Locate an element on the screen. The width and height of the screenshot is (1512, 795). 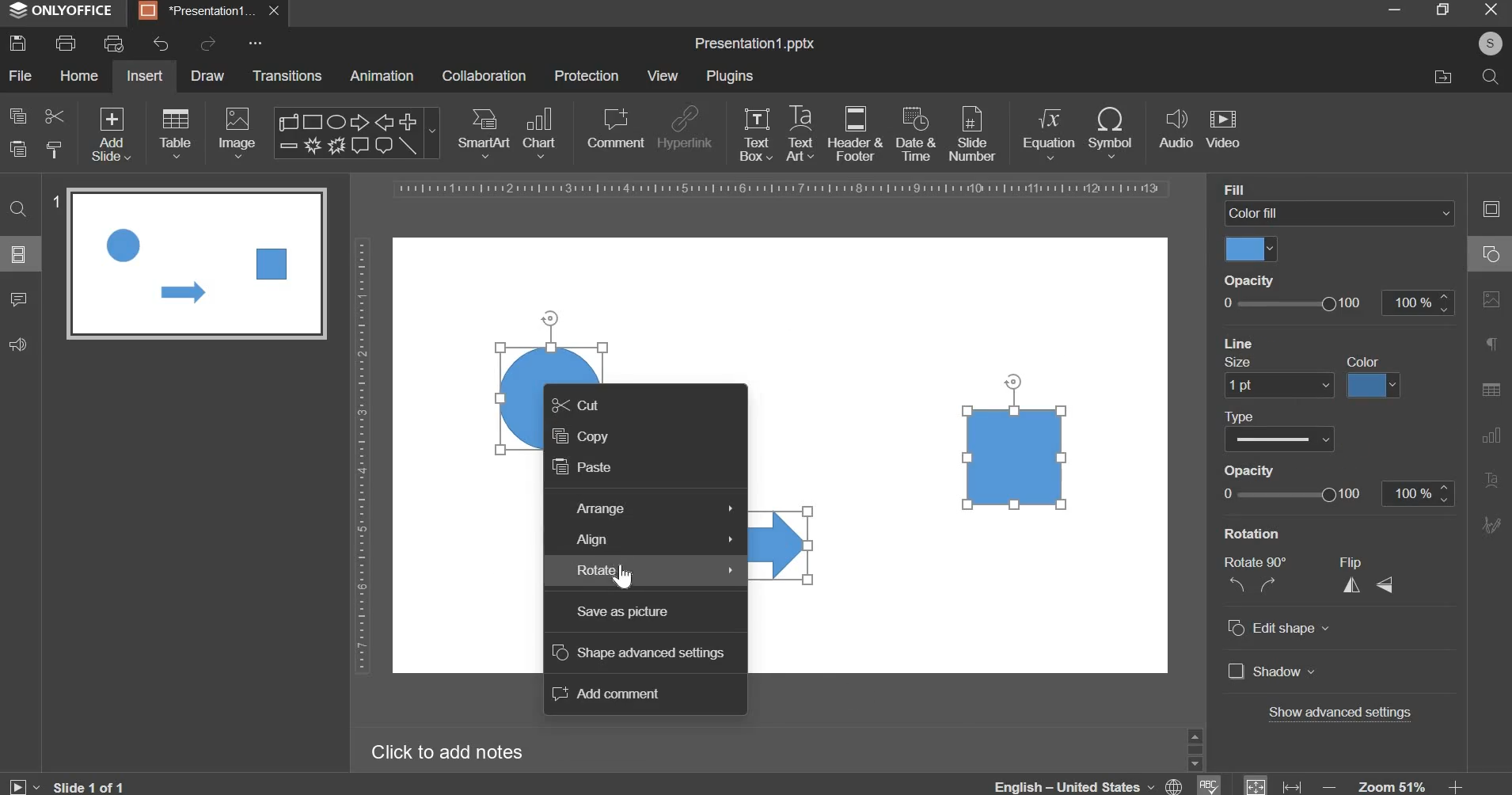
align is located at coordinates (659, 542).